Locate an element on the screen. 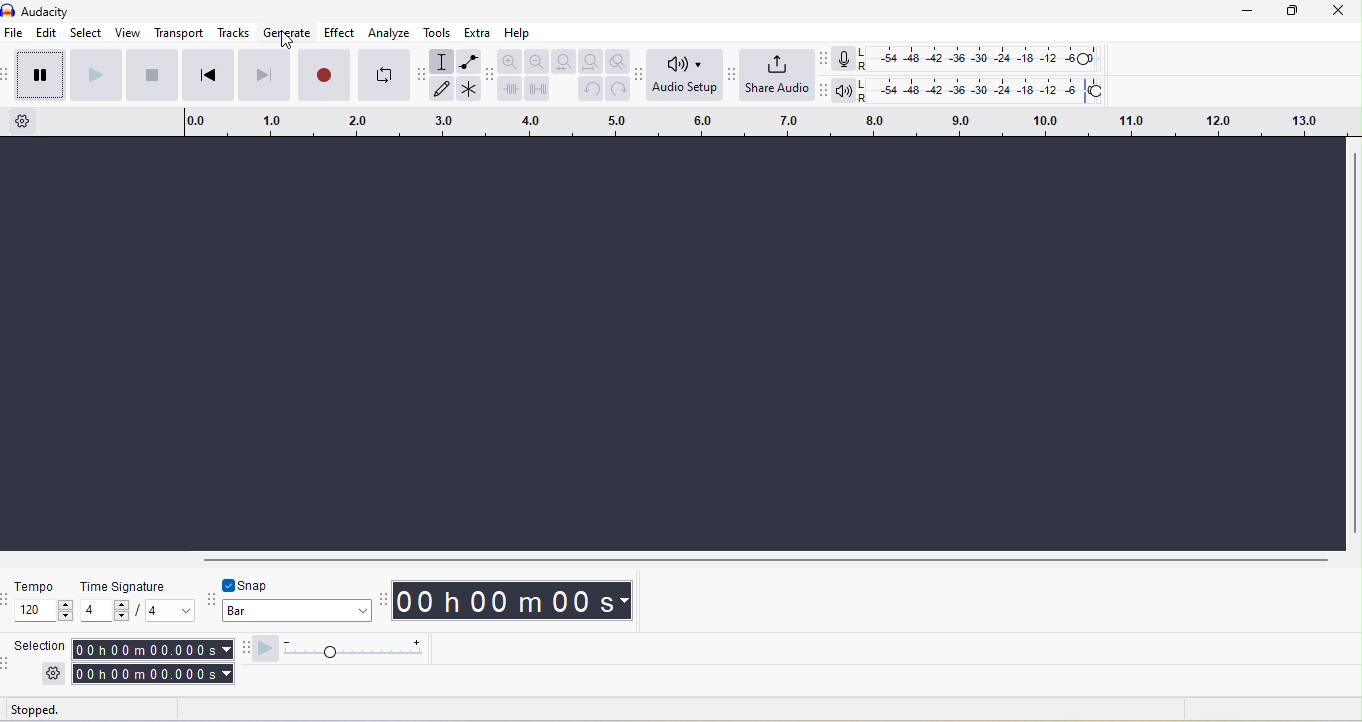 The width and height of the screenshot is (1362, 722). playback level is located at coordinates (985, 88).